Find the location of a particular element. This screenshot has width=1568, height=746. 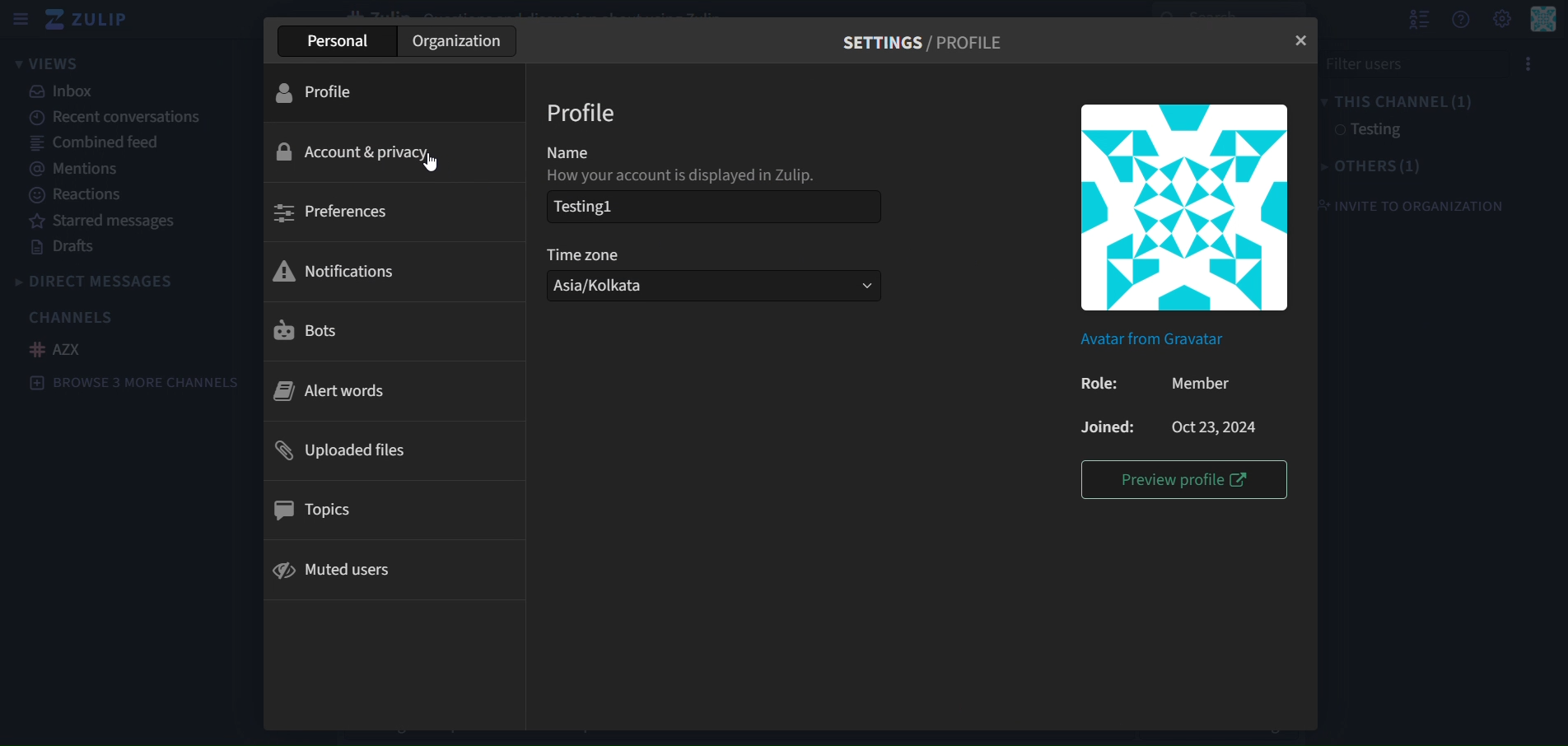

side bar is located at coordinates (19, 19).